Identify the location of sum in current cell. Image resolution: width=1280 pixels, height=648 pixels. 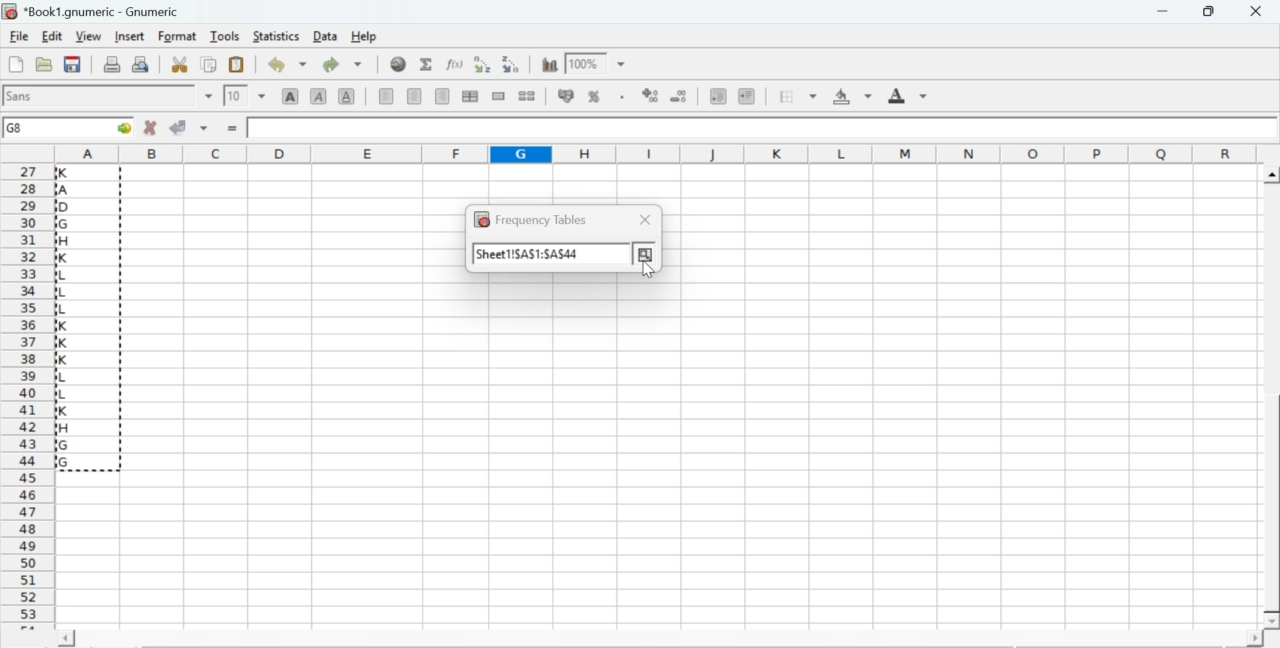
(427, 63).